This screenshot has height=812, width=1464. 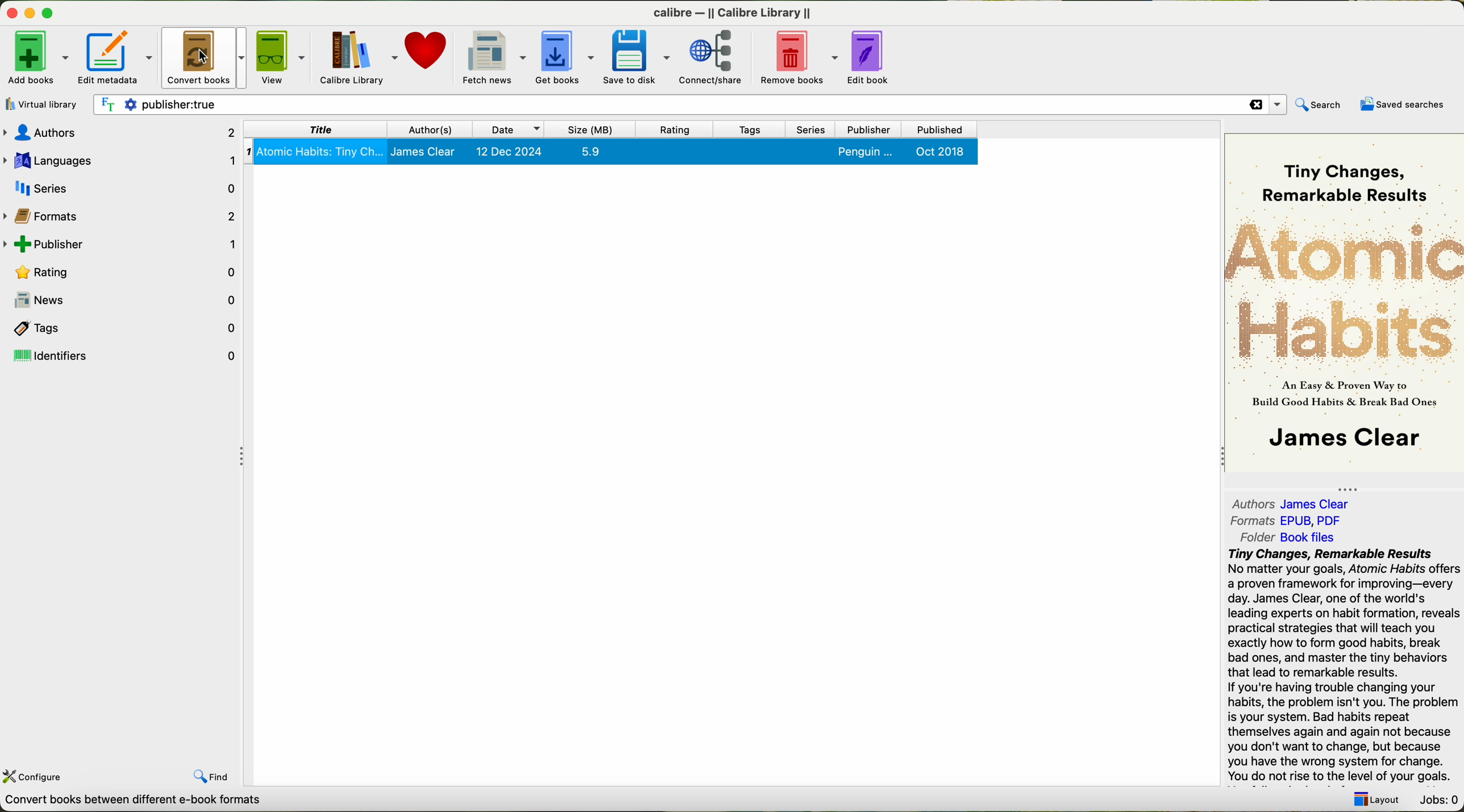 What do you see at coordinates (120, 131) in the screenshot?
I see `authors` at bounding box center [120, 131].